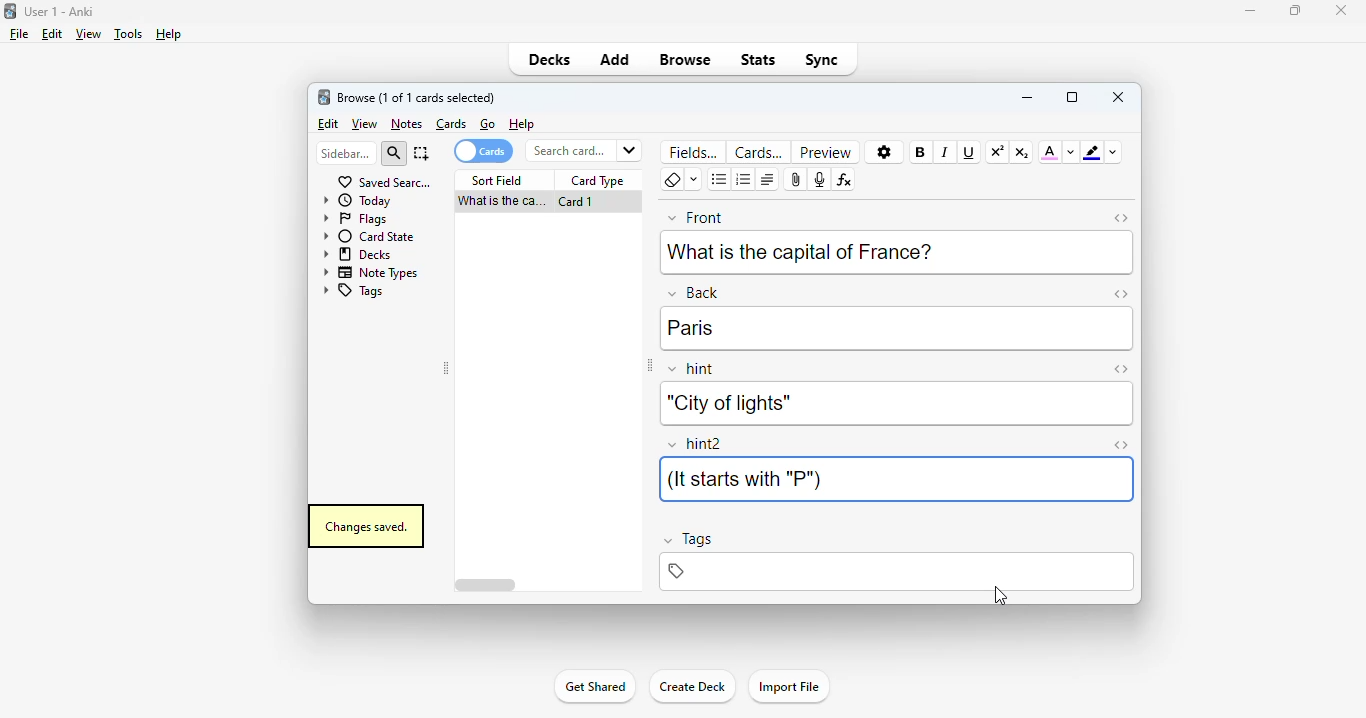 The width and height of the screenshot is (1366, 718). I want to click on toggle HTML editor, so click(1121, 293).